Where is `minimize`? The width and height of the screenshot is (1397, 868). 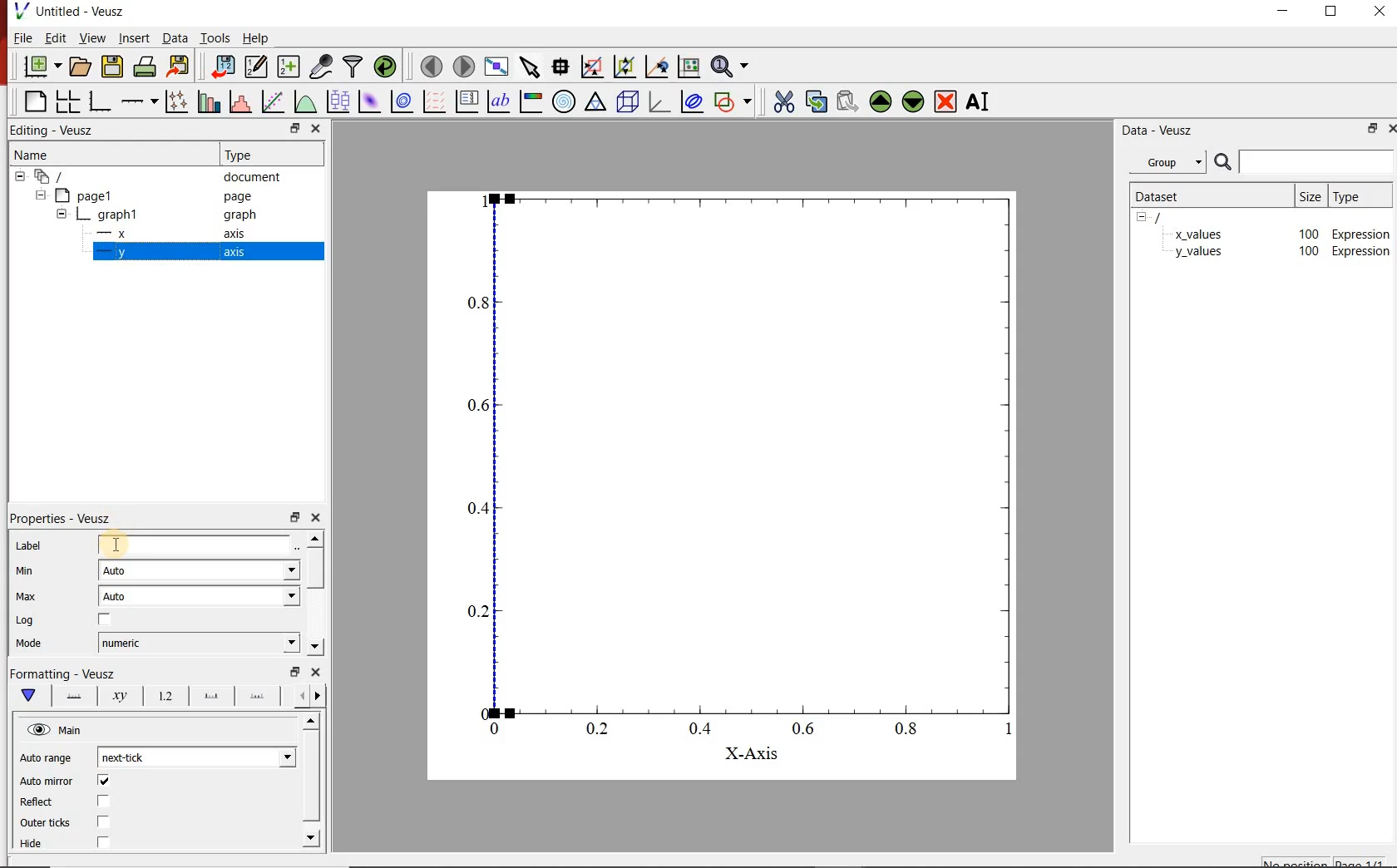
minimize is located at coordinates (1282, 13).